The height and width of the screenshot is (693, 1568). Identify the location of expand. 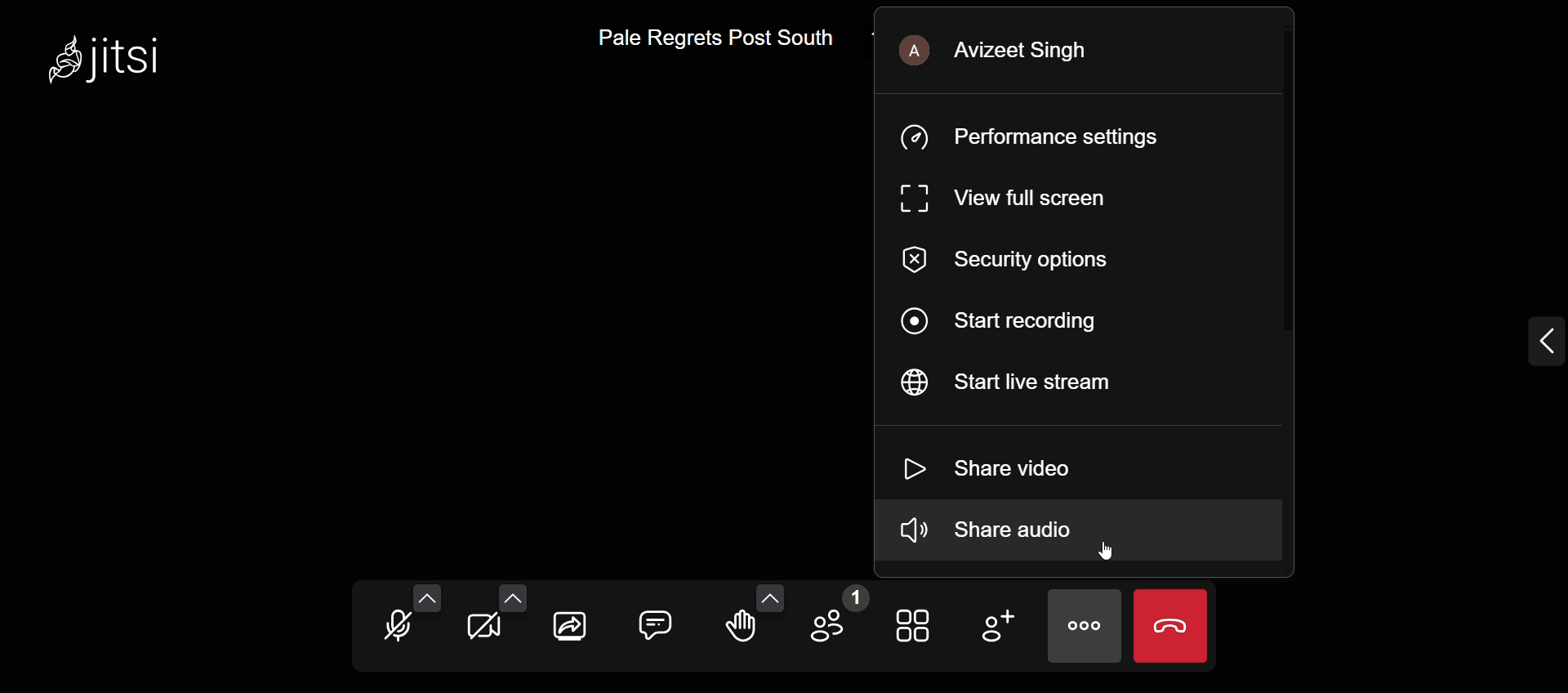
(1517, 336).